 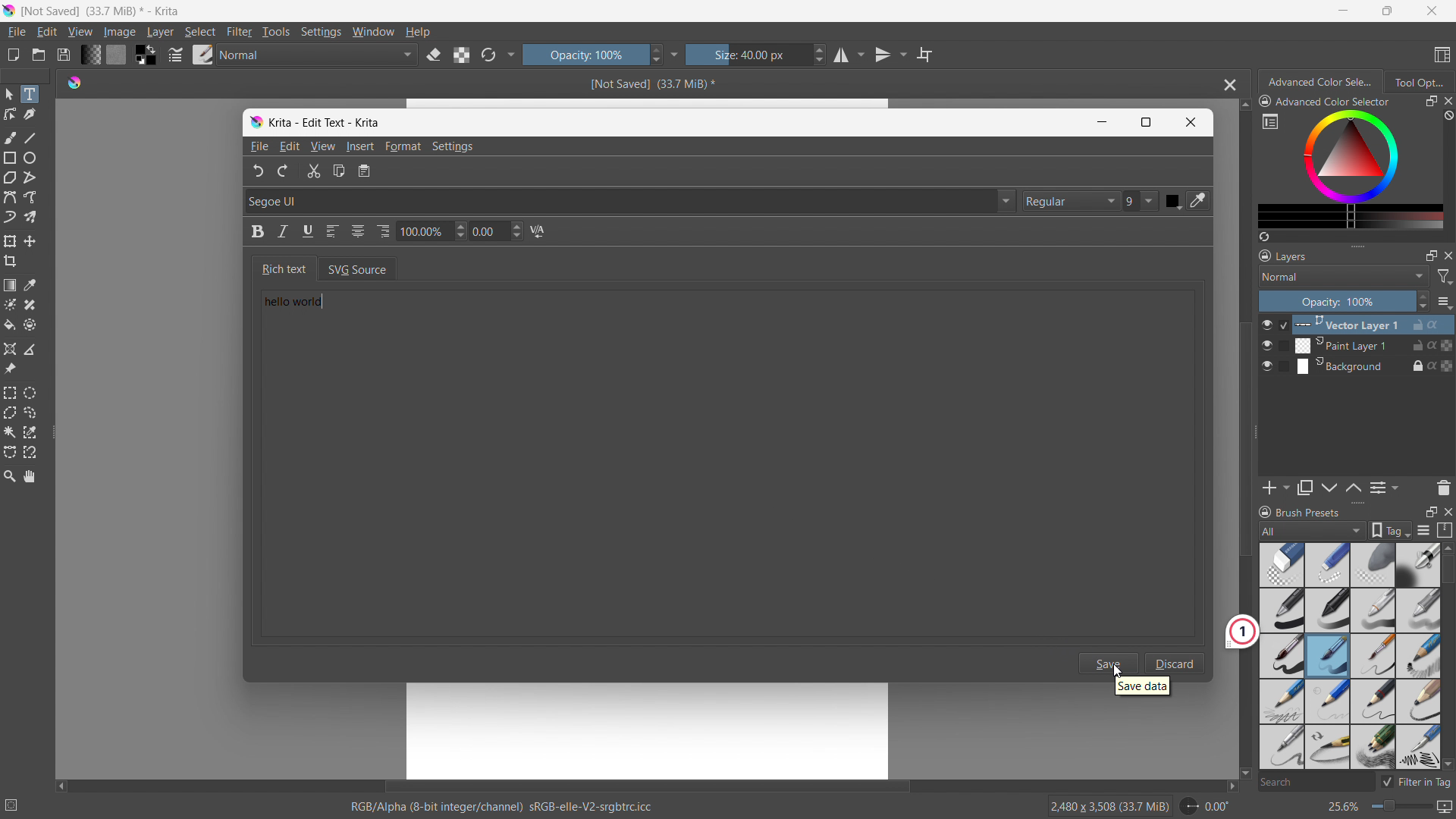 What do you see at coordinates (1071, 201) in the screenshot?
I see `Regular` at bounding box center [1071, 201].